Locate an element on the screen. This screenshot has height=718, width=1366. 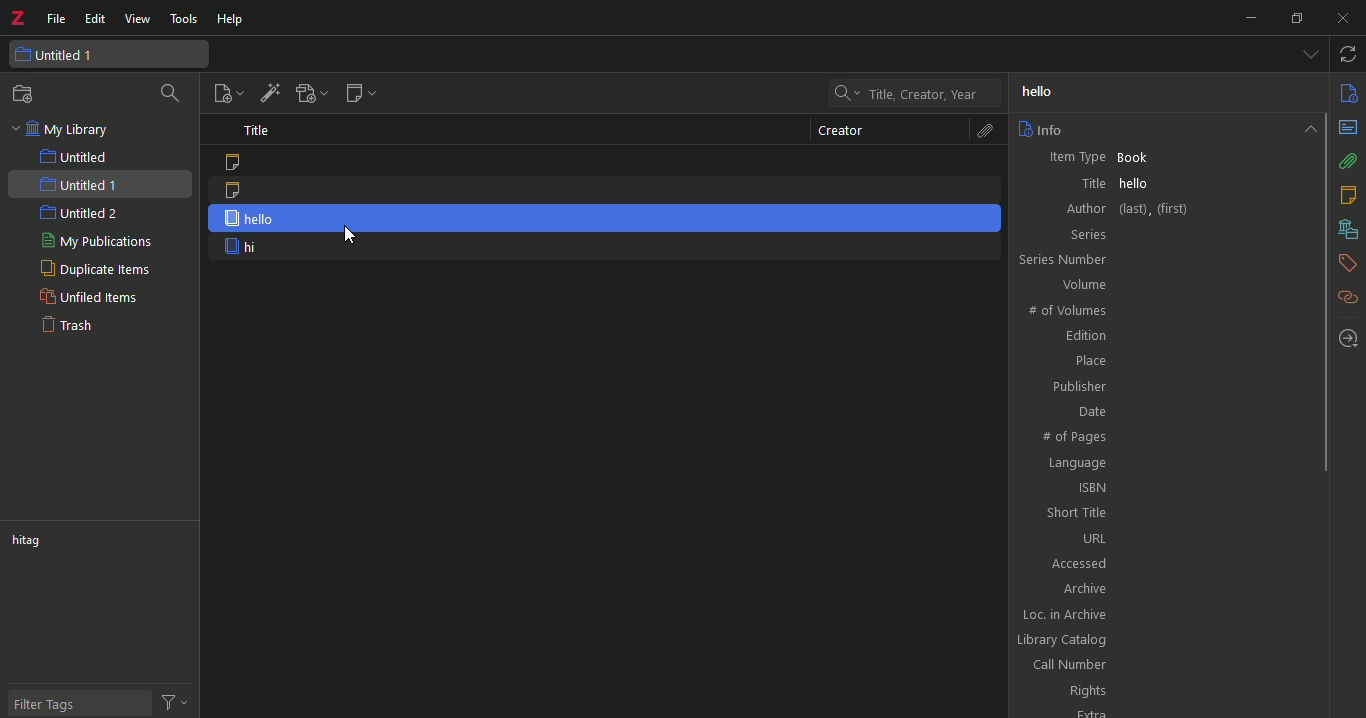
# of volumes is located at coordinates (1066, 309).